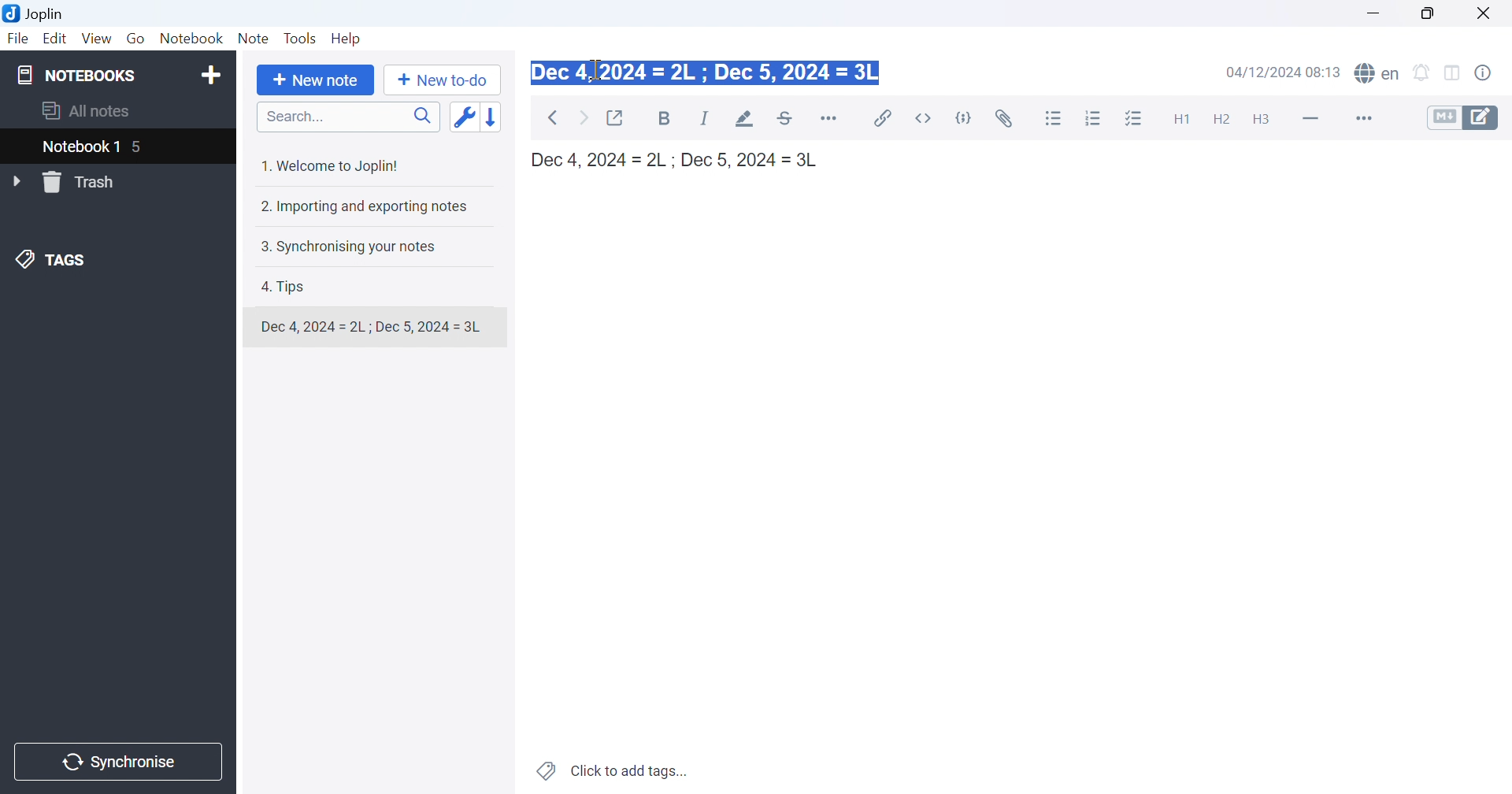  What do you see at coordinates (884, 118) in the screenshot?
I see `Insert/edit link` at bounding box center [884, 118].